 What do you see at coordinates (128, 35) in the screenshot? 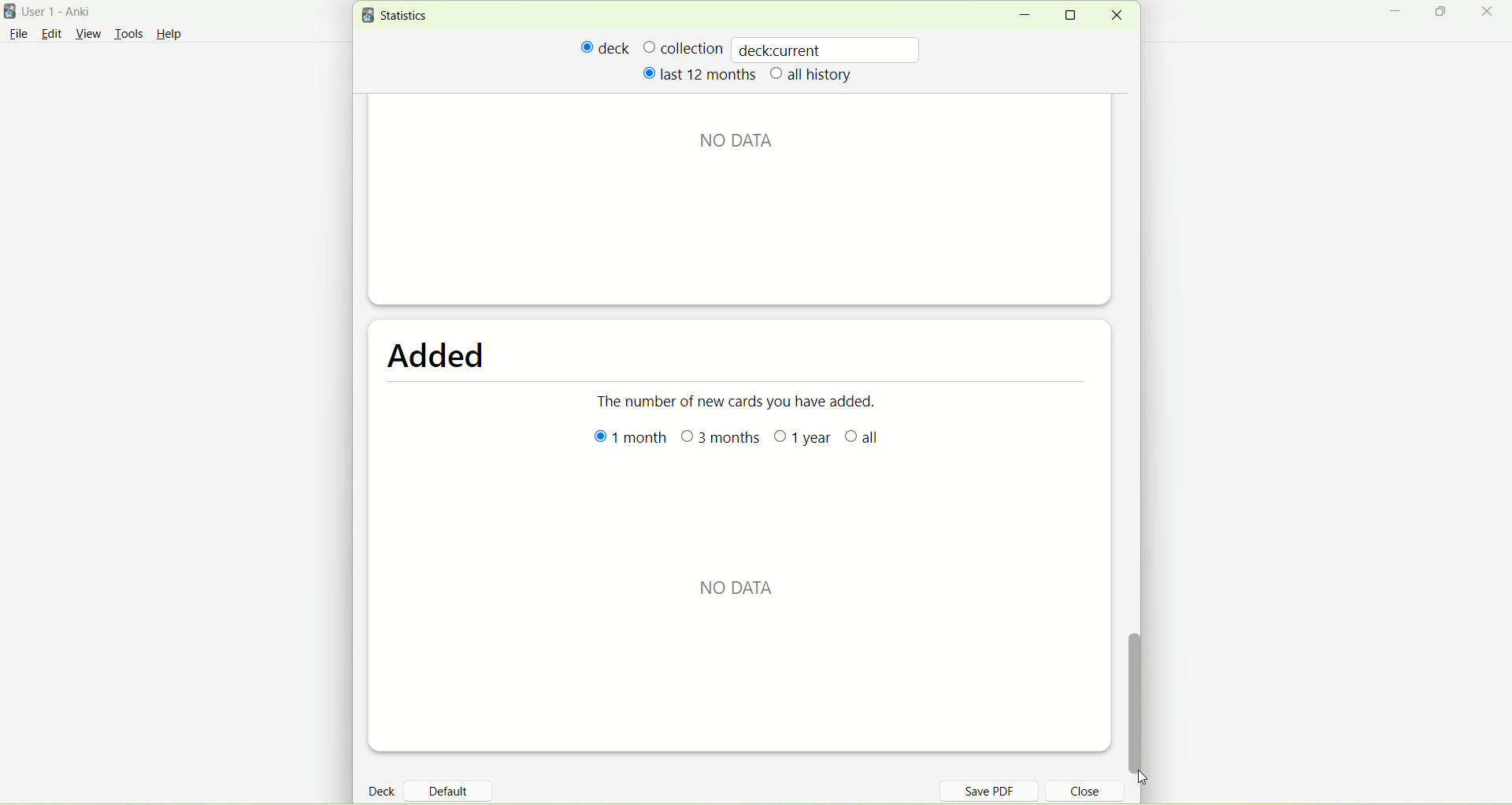
I see `tools` at bounding box center [128, 35].